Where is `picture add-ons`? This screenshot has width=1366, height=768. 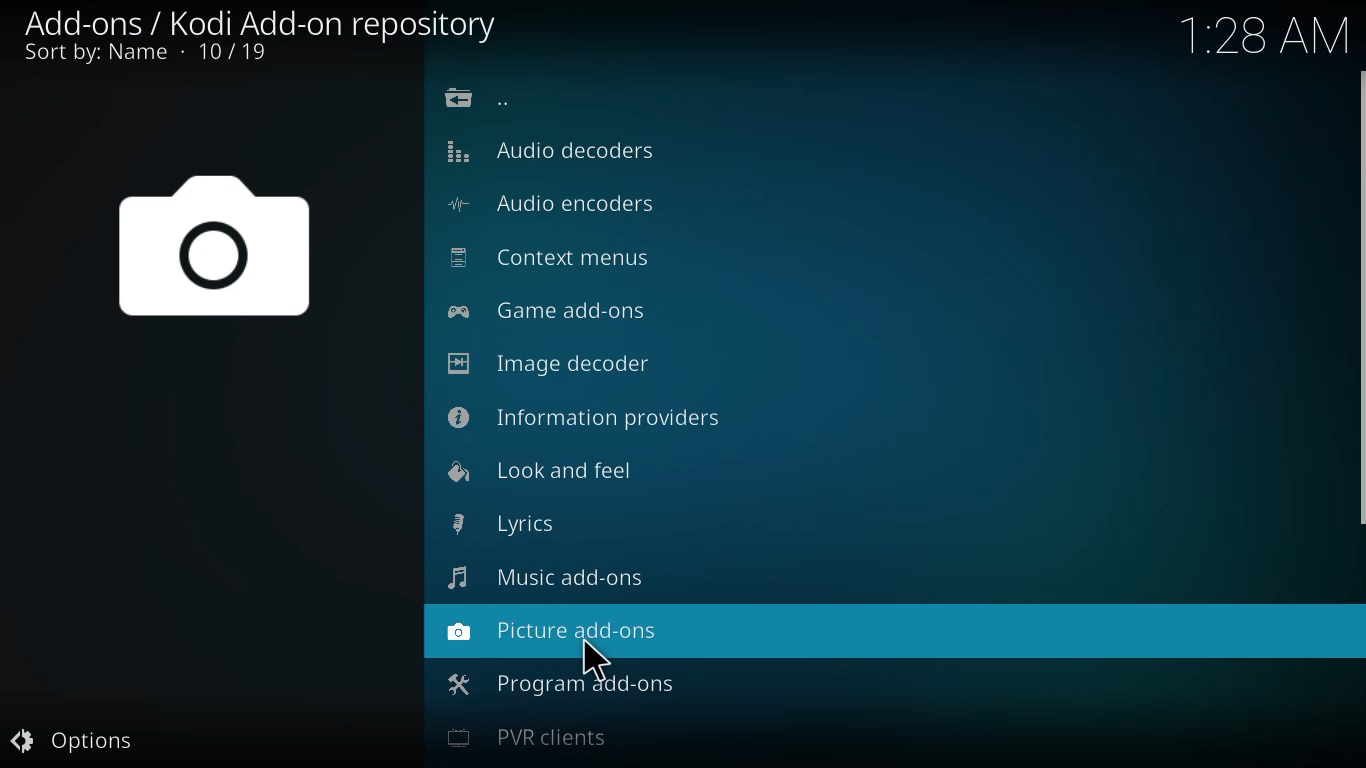
picture add-ons is located at coordinates (555, 630).